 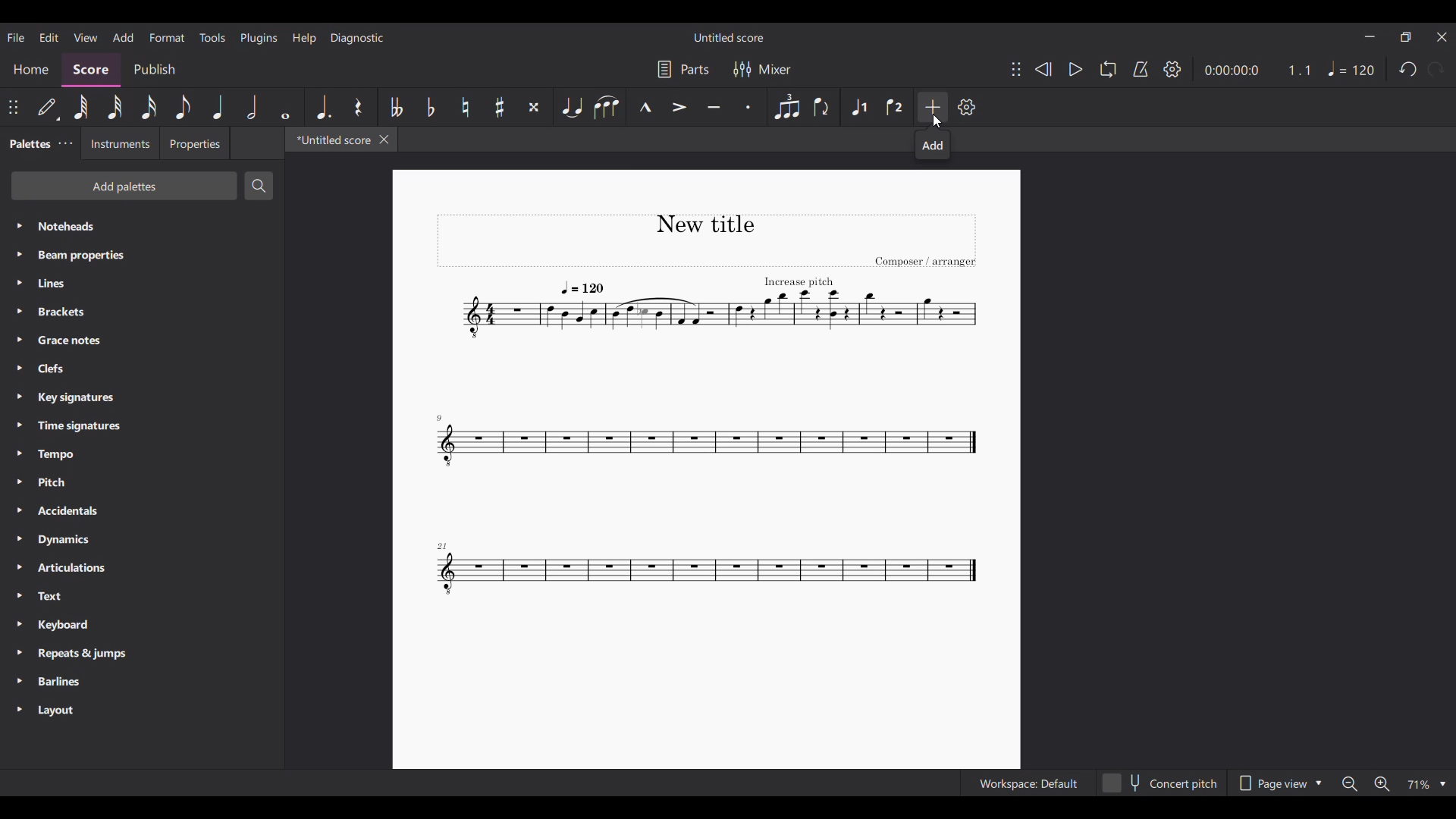 What do you see at coordinates (259, 186) in the screenshot?
I see `Search` at bounding box center [259, 186].